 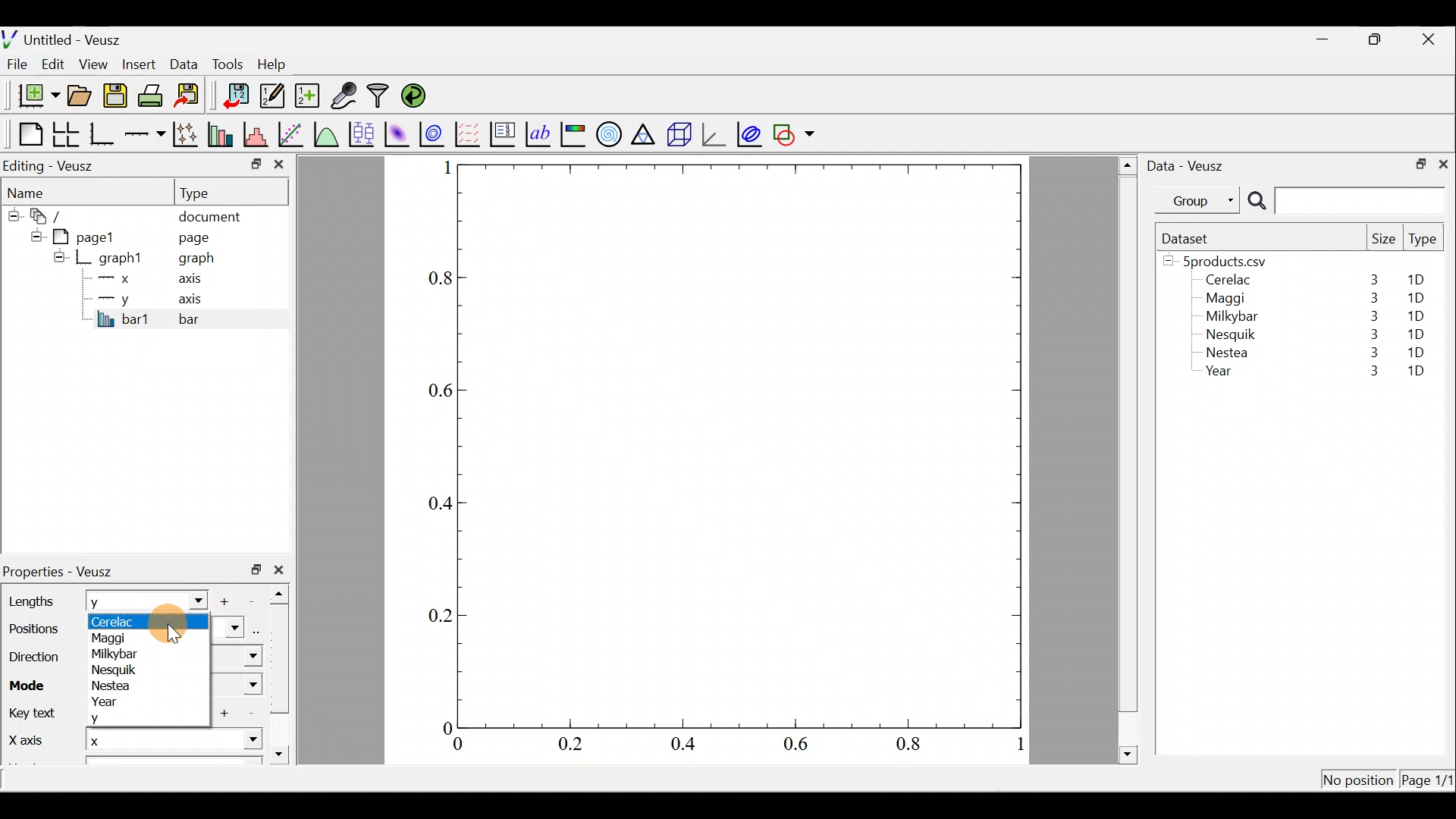 What do you see at coordinates (238, 686) in the screenshot?
I see `mode dropdown` at bounding box center [238, 686].